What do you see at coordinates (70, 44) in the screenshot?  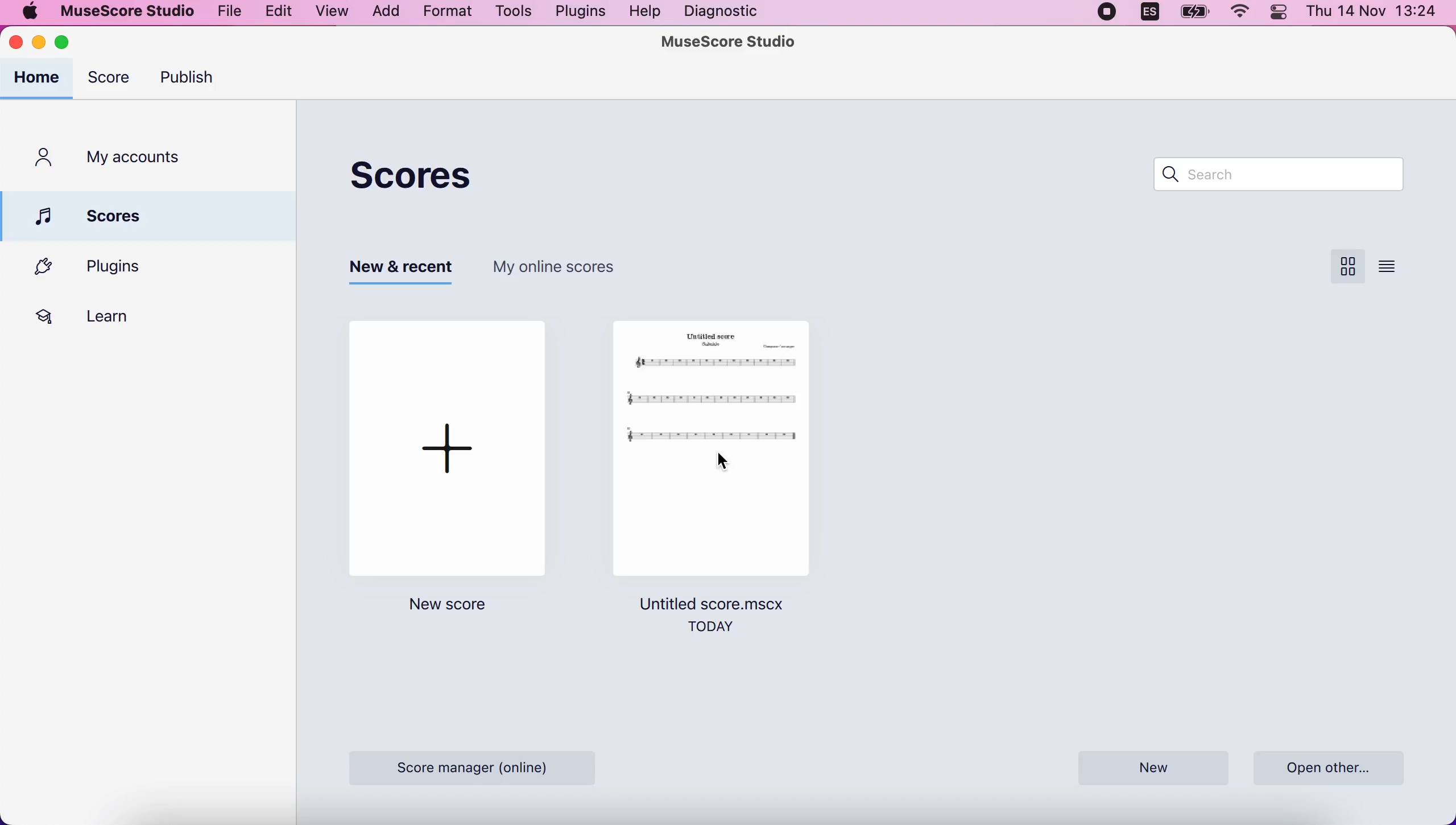 I see `maximize` at bounding box center [70, 44].